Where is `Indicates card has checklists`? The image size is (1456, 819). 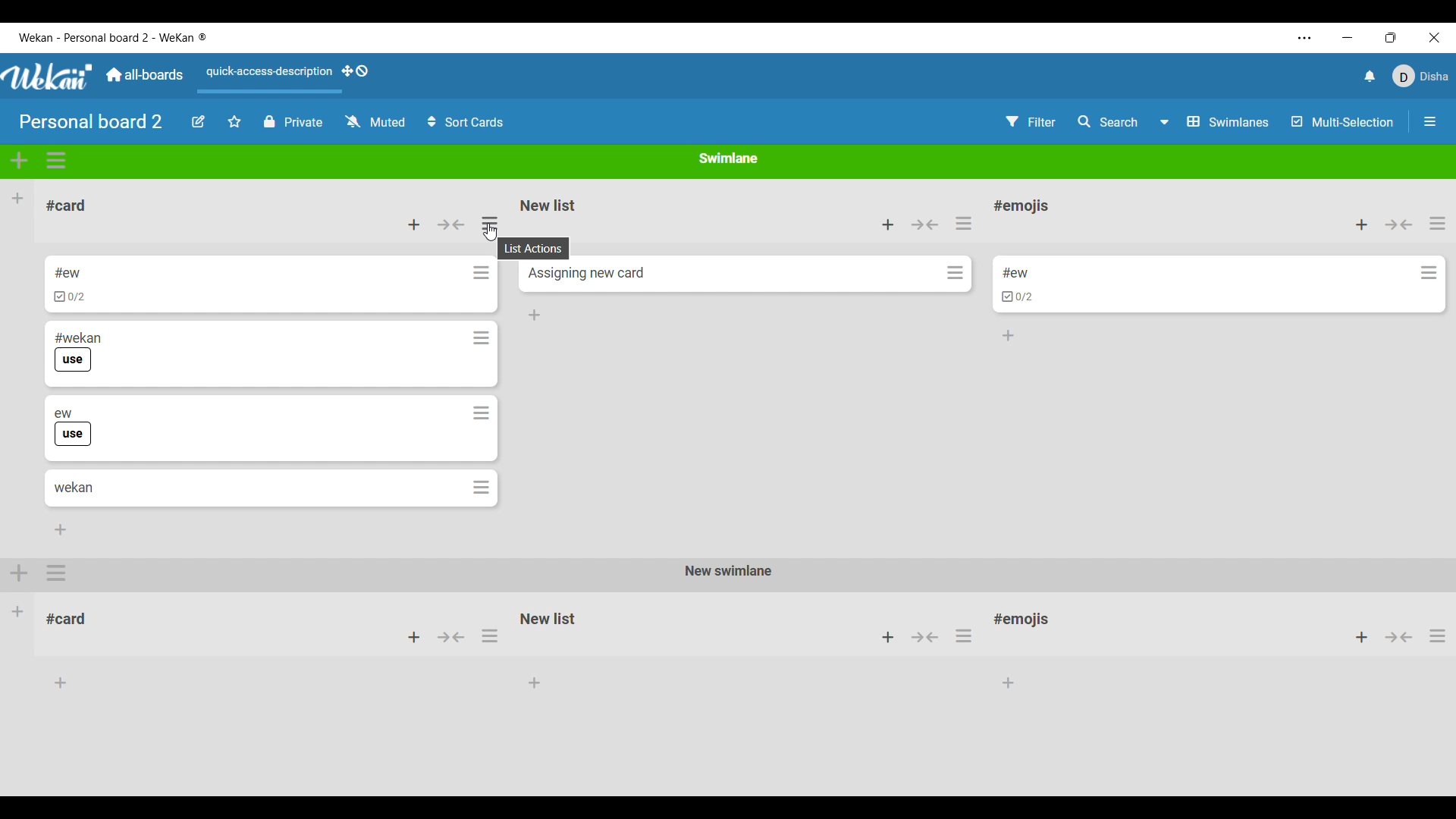 Indicates card has checklists is located at coordinates (1019, 296).